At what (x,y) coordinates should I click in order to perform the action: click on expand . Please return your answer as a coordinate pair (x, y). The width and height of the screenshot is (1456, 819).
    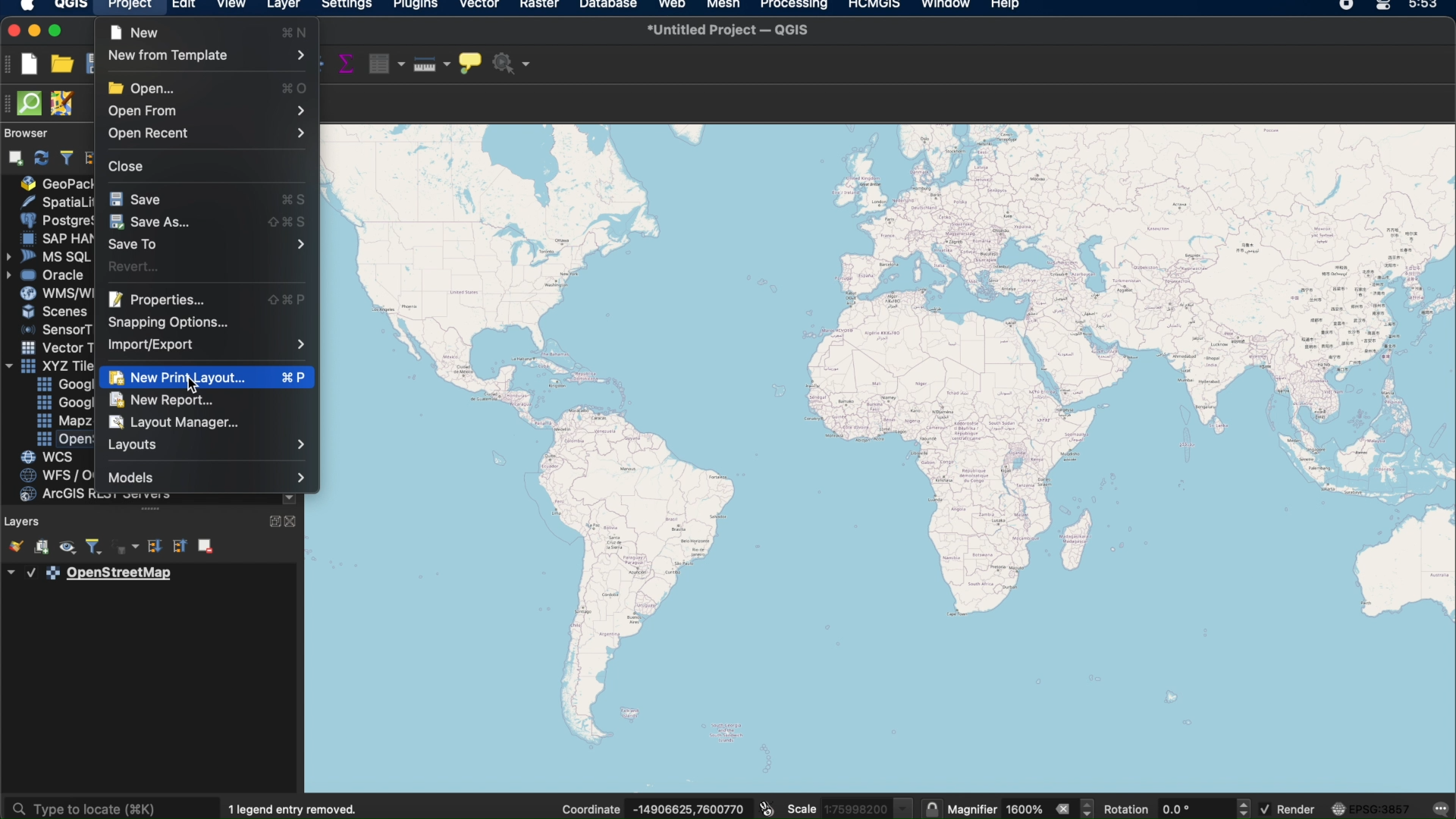
    Looking at the image, I should click on (272, 520).